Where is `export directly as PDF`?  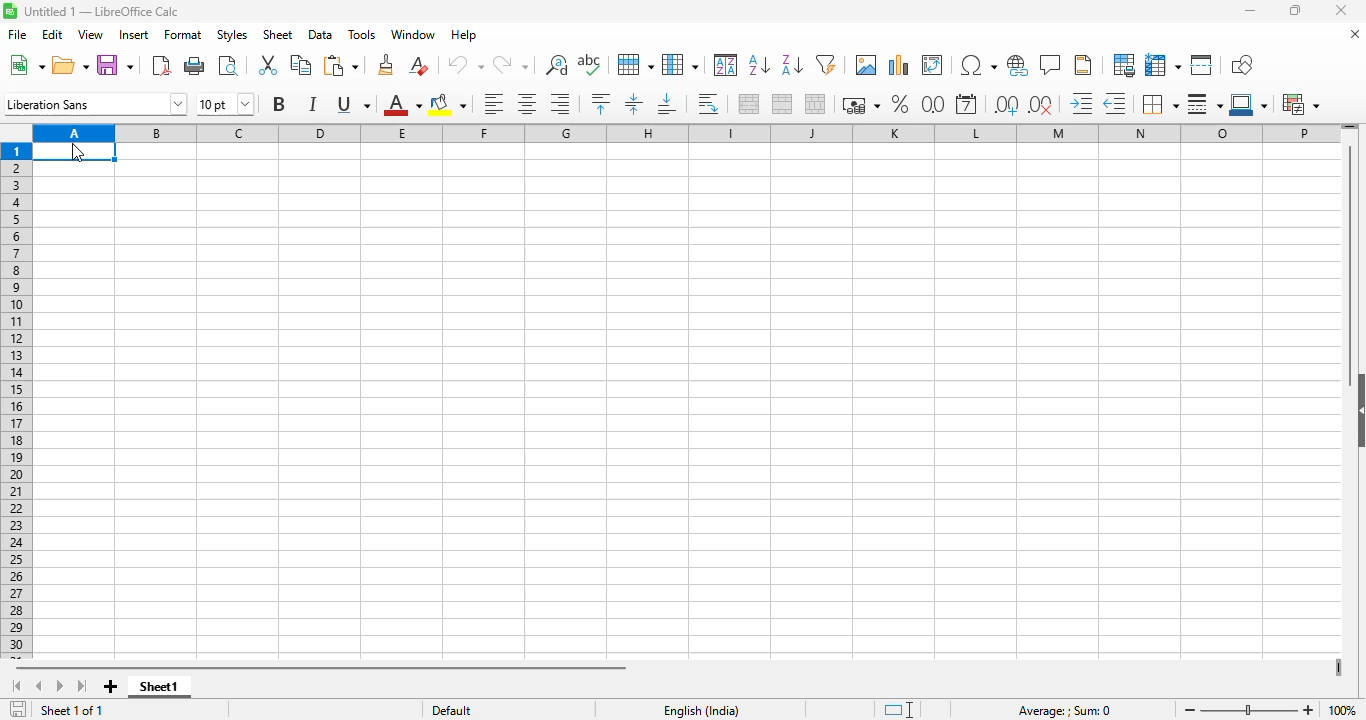 export directly as PDF is located at coordinates (161, 65).